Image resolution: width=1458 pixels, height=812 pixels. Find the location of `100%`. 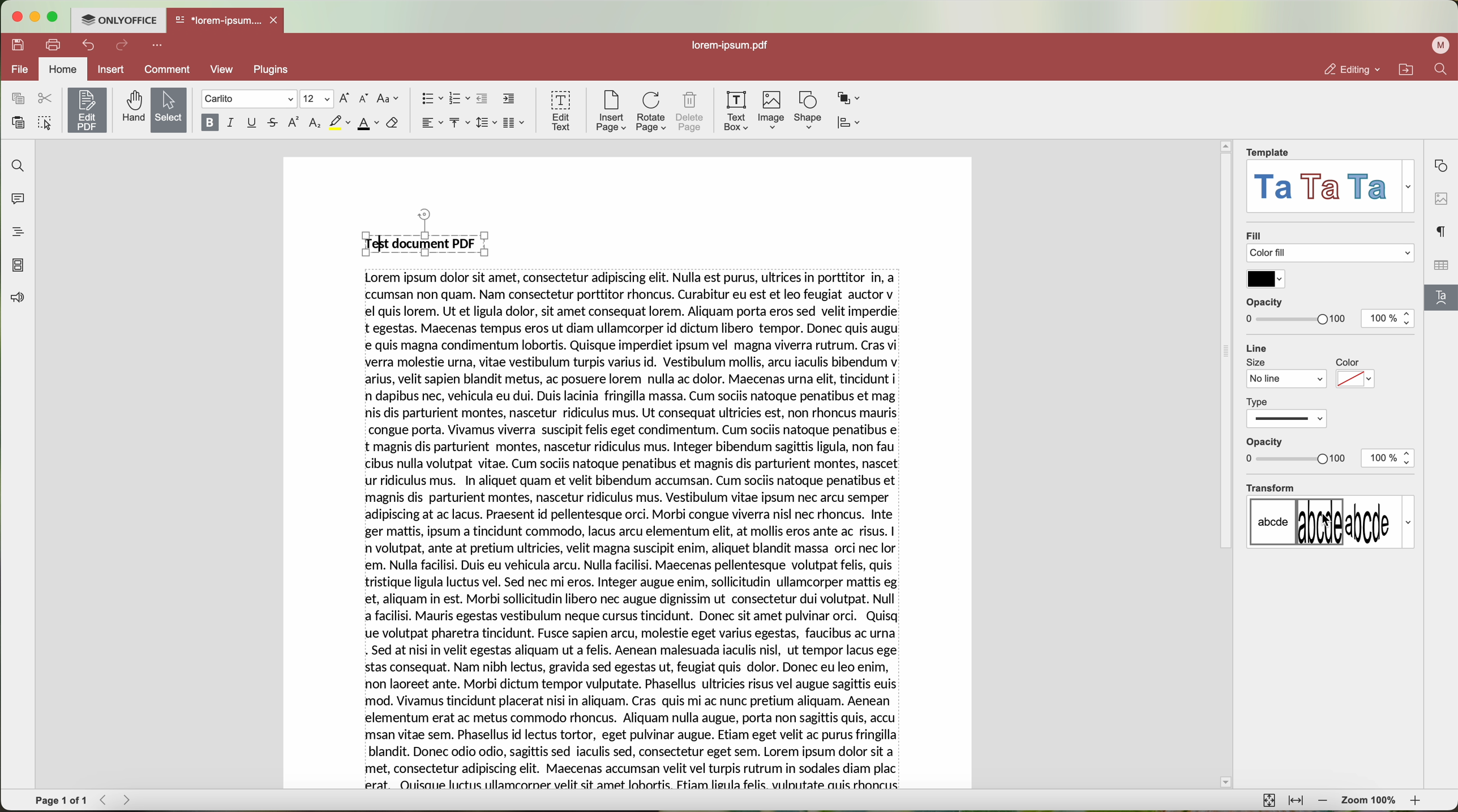

100% is located at coordinates (1390, 319).